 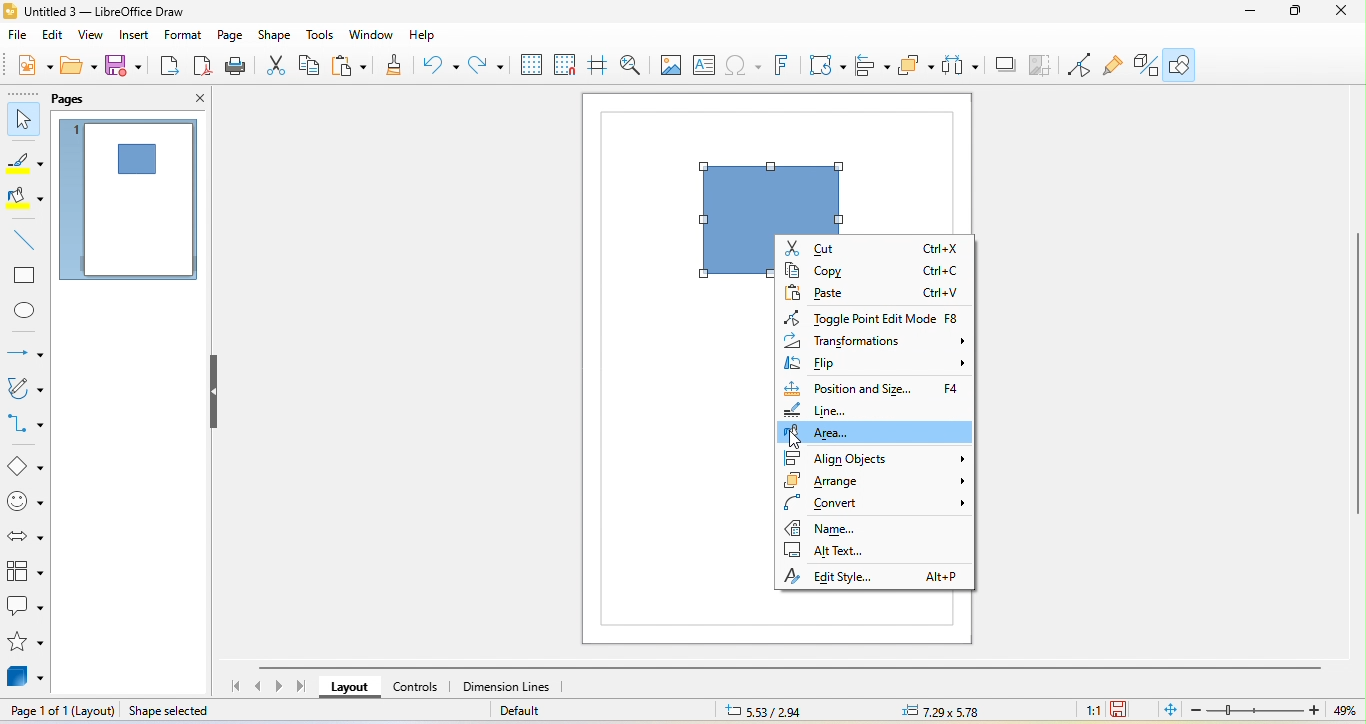 What do you see at coordinates (846, 527) in the screenshot?
I see `name` at bounding box center [846, 527].